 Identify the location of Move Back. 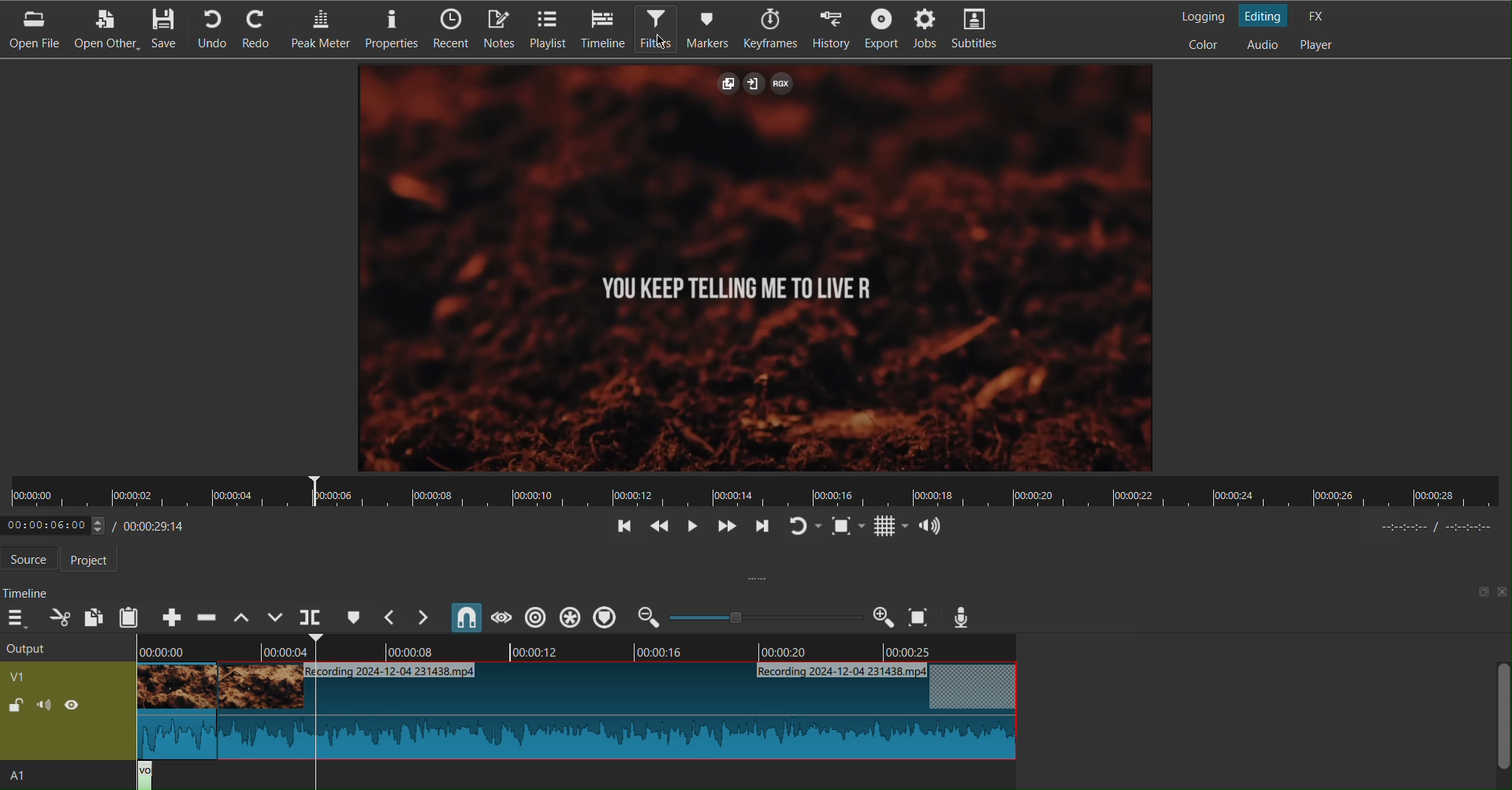
(657, 528).